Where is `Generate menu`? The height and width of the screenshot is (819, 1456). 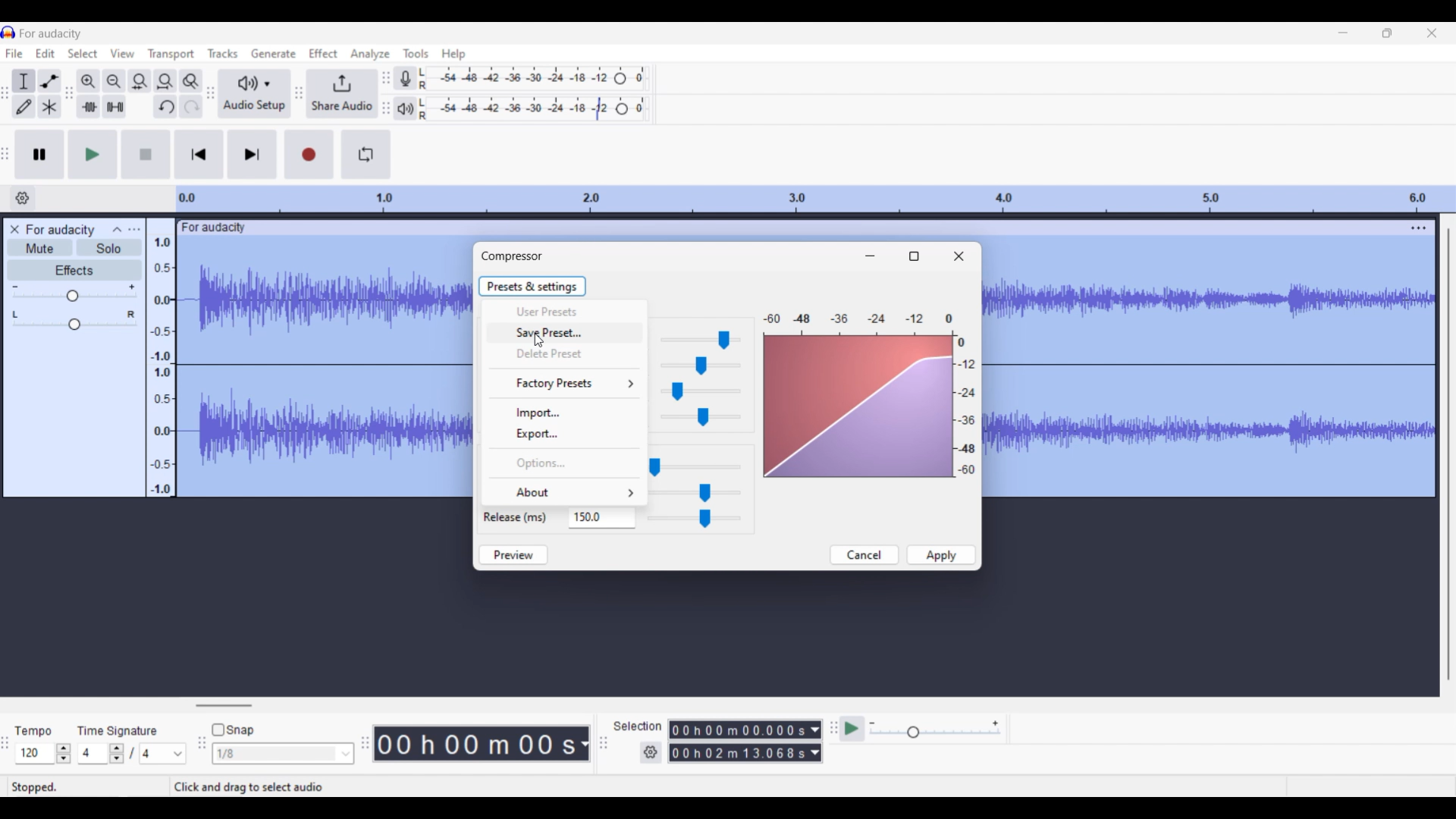 Generate menu is located at coordinates (273, 52).